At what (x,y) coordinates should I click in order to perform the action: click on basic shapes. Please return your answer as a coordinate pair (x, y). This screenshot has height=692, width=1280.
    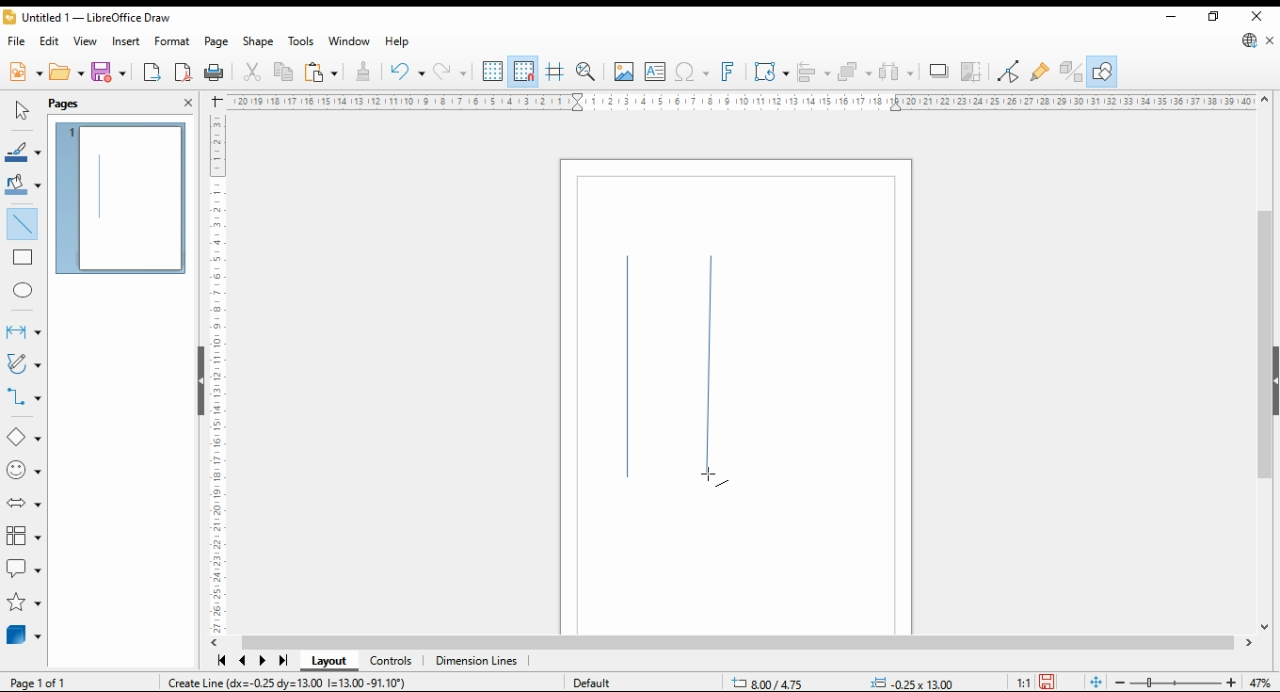
    Looking at the image, I should click on (20, 438).